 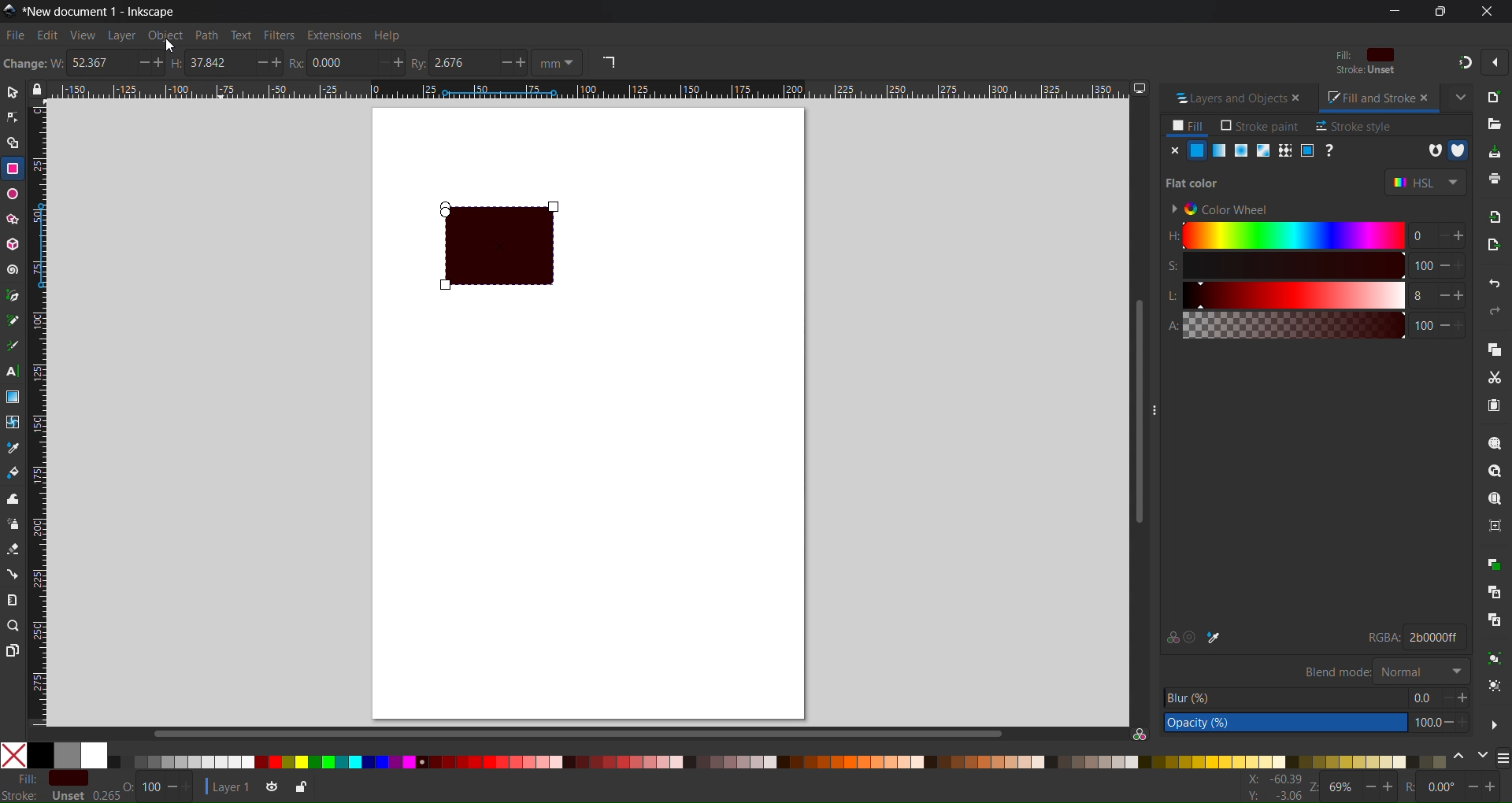 What do you see at coordinates (13, 549) in the screenshot?
I see `Eraser tool` at bounding box center [13, 549].